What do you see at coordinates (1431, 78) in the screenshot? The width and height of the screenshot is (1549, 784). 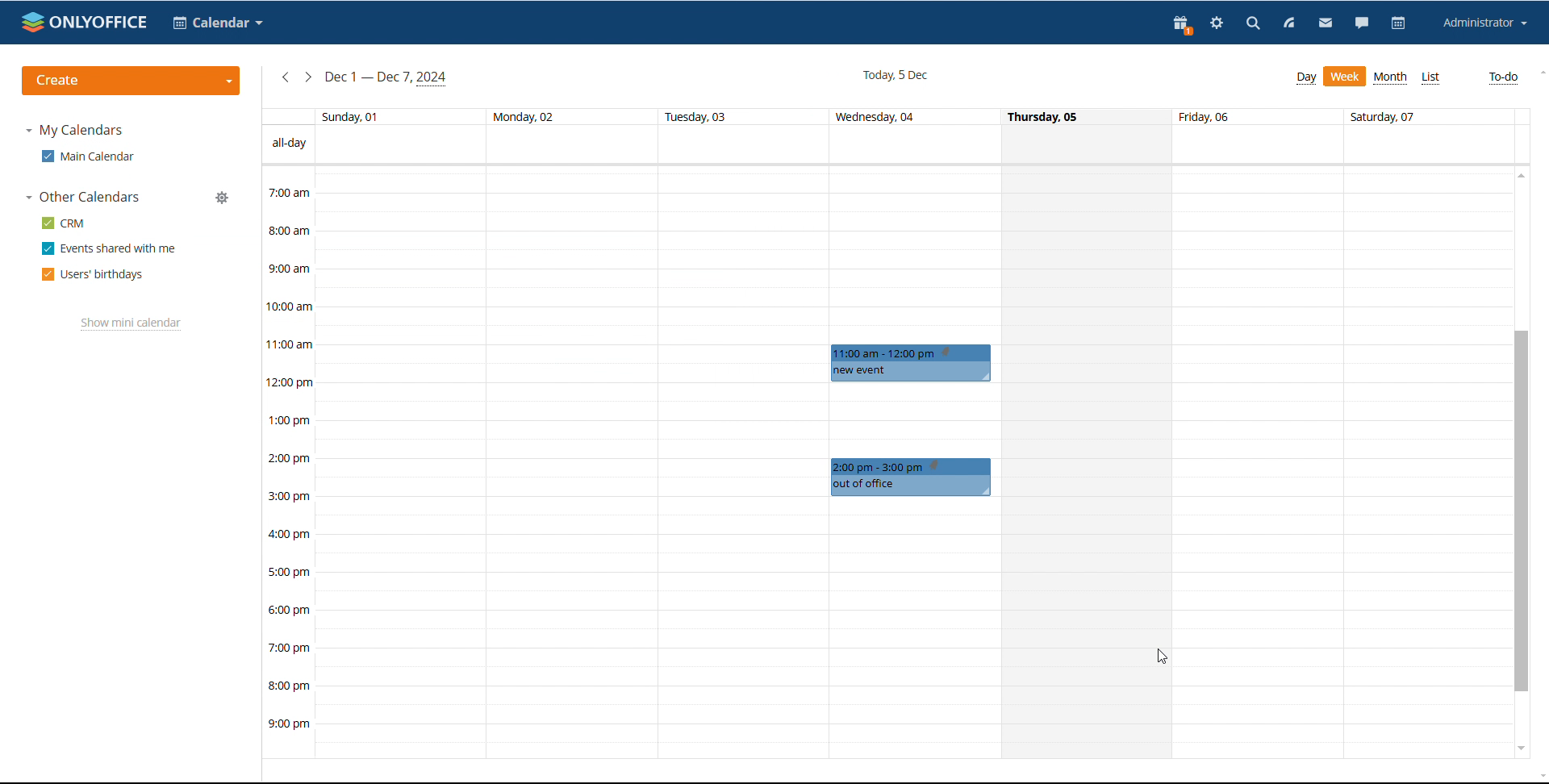 I see `list view` at bounding box center [1431, 78].